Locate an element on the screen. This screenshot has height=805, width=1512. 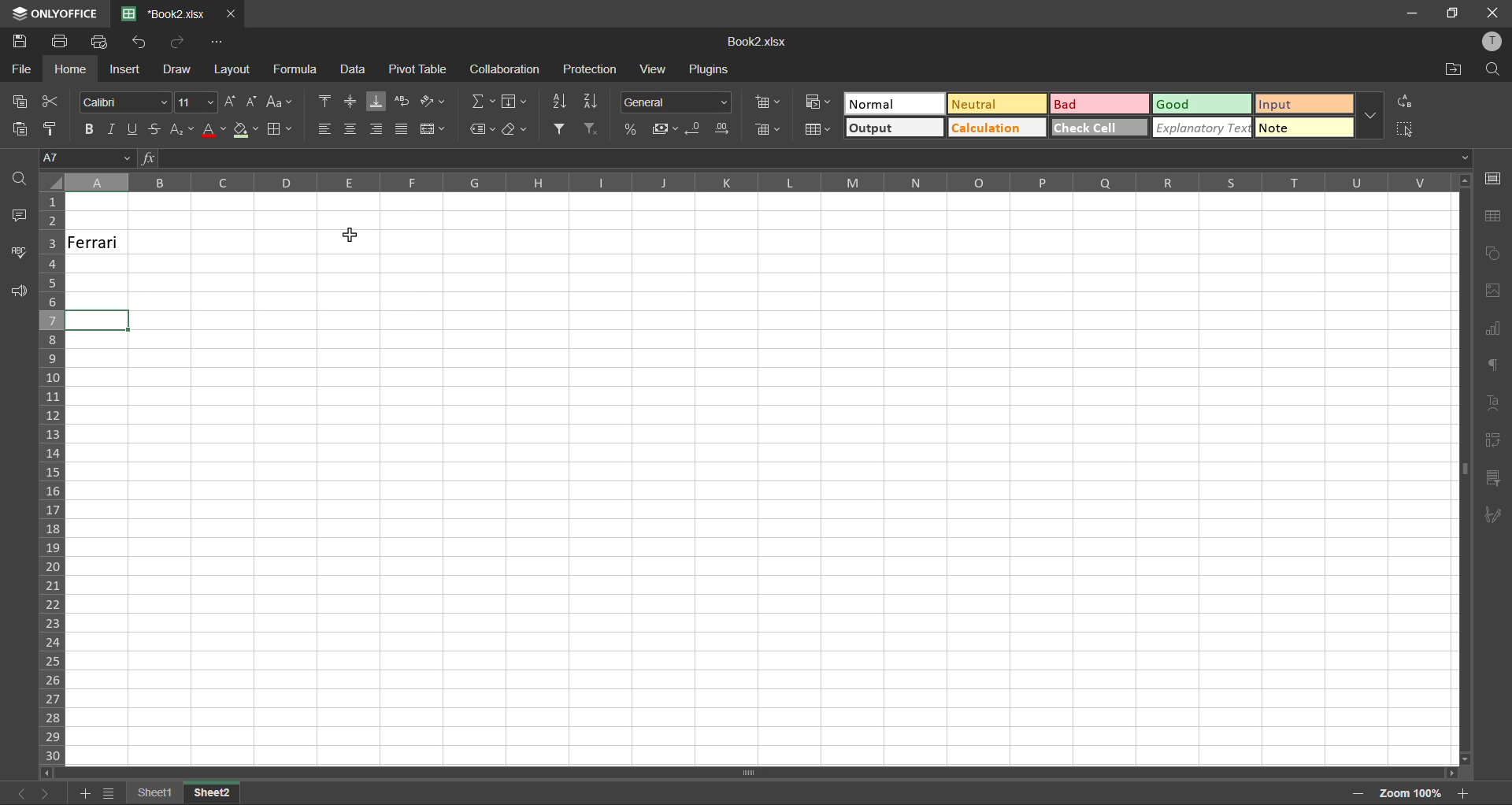
output is located at coordinates (895, 129).